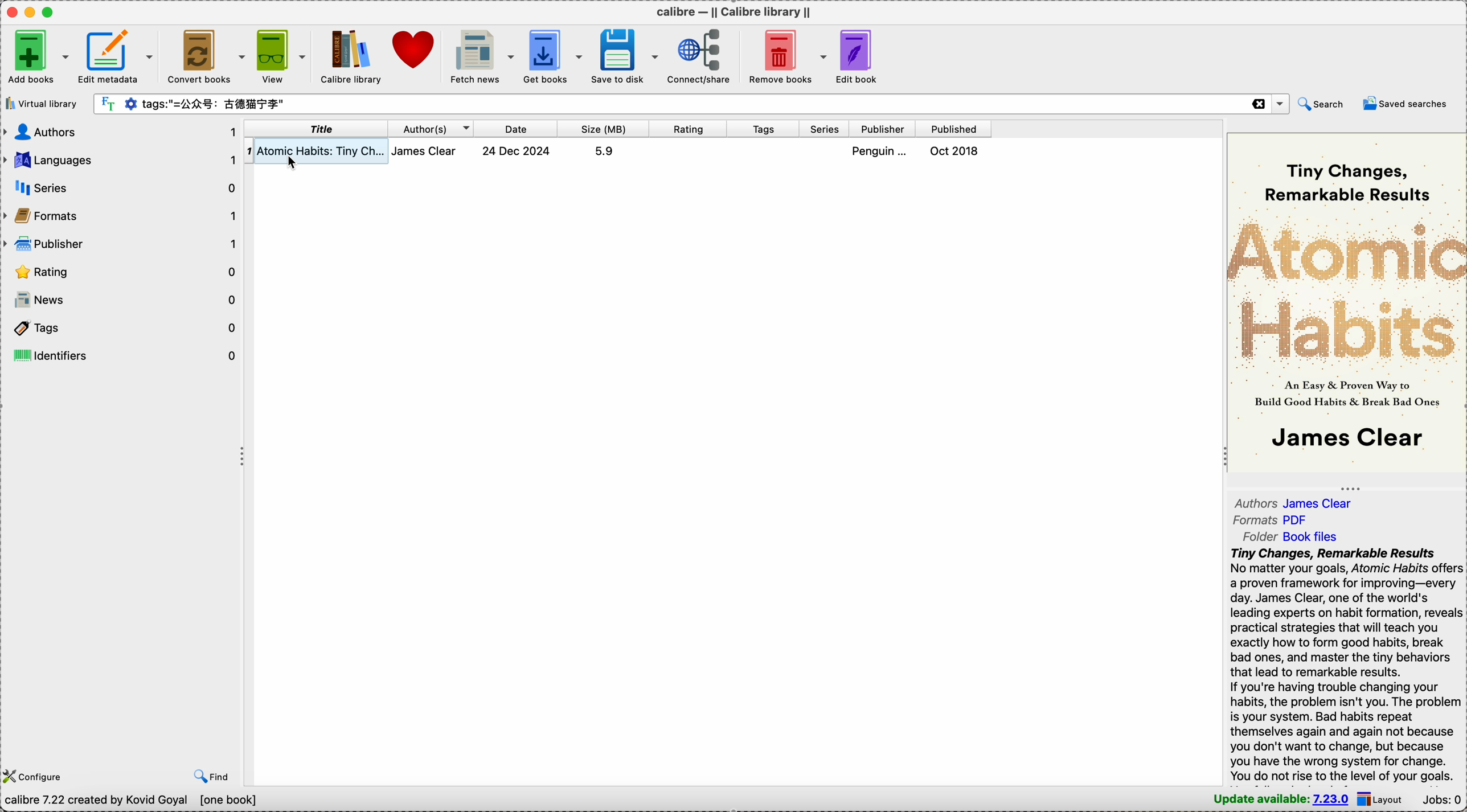  Describe the element at coordinates (318, 130) in the screenshot. I see `title` at that location.